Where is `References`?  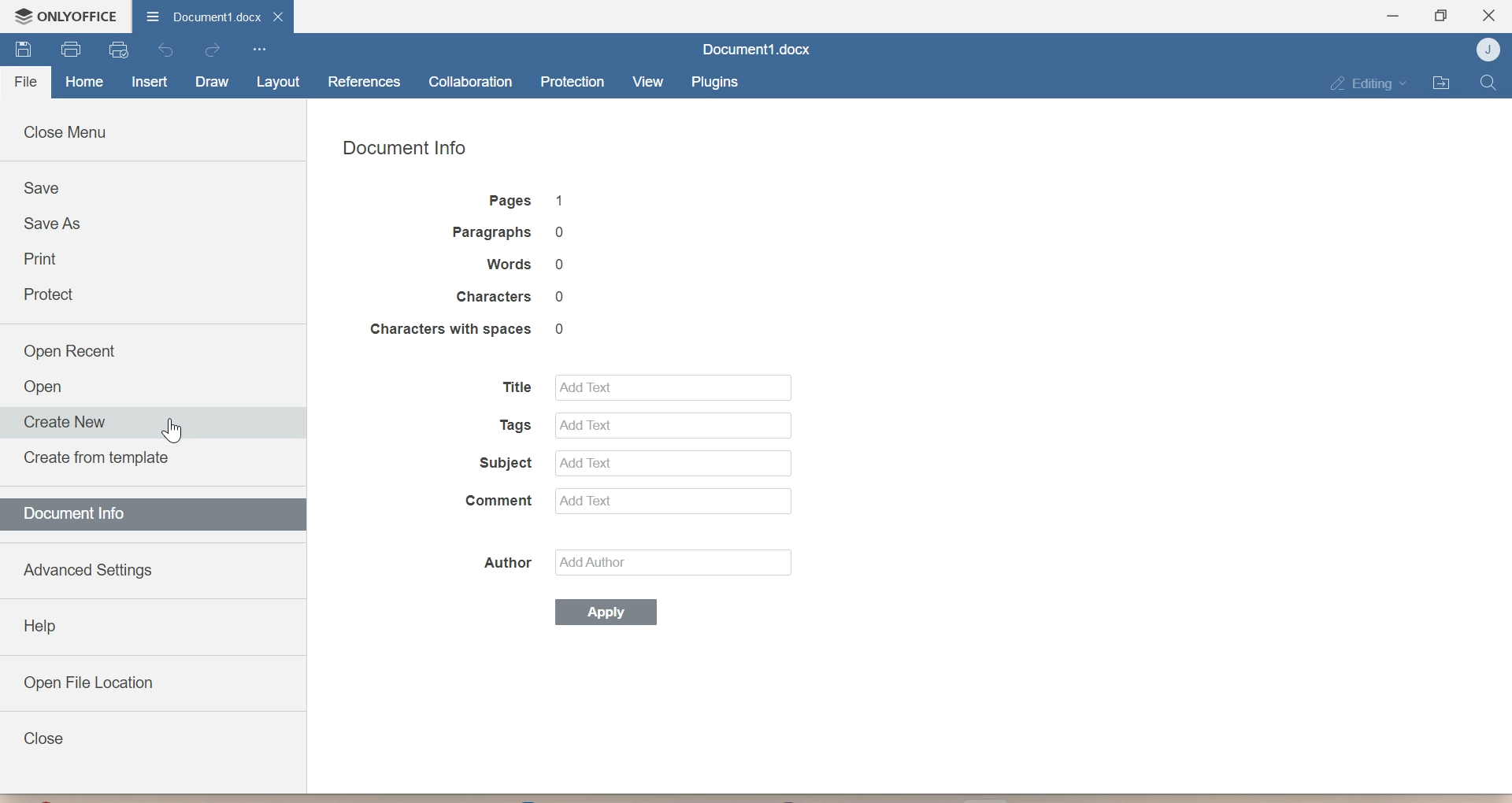 References is located at coordinates (364, 81).